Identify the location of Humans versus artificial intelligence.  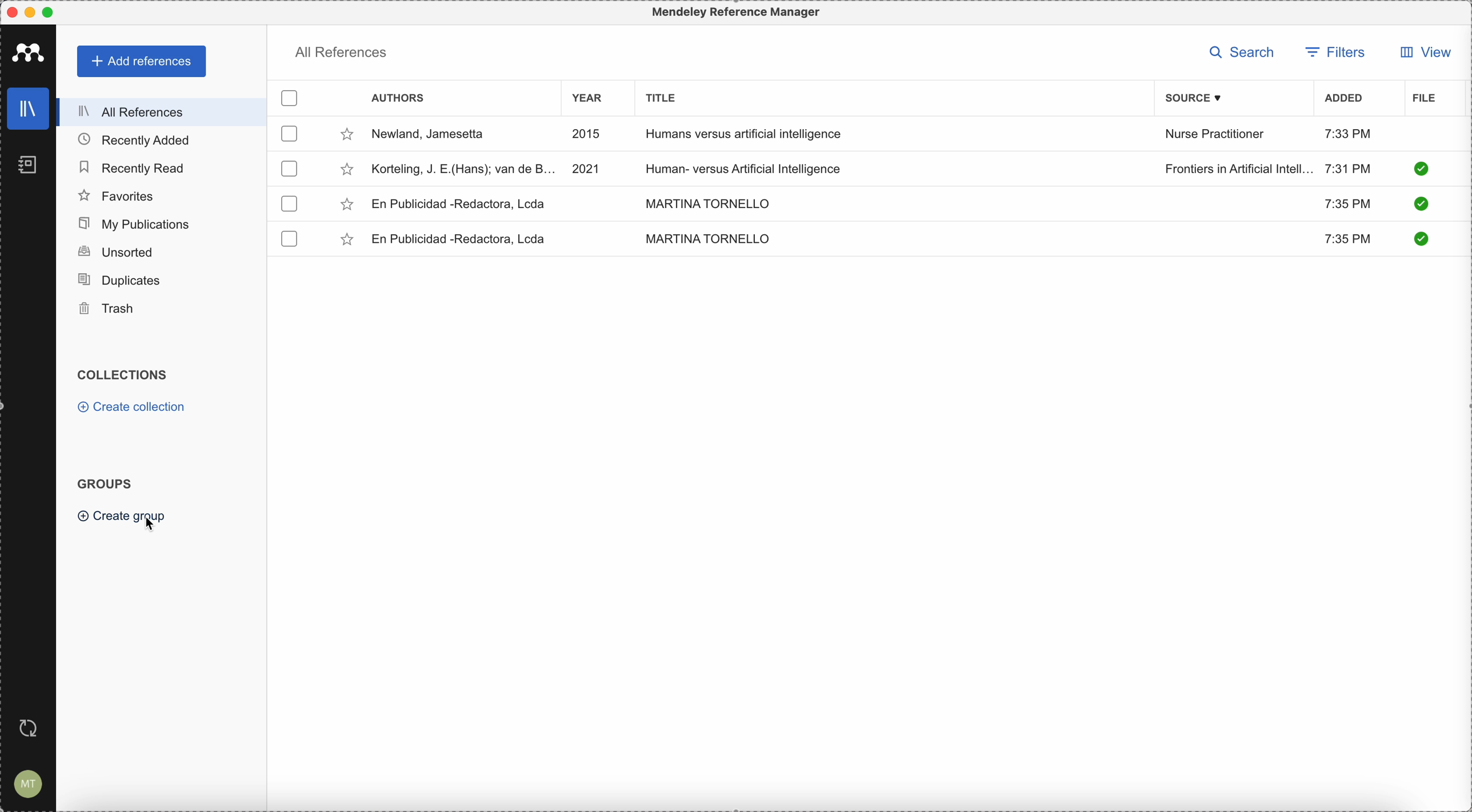
(745, 135).